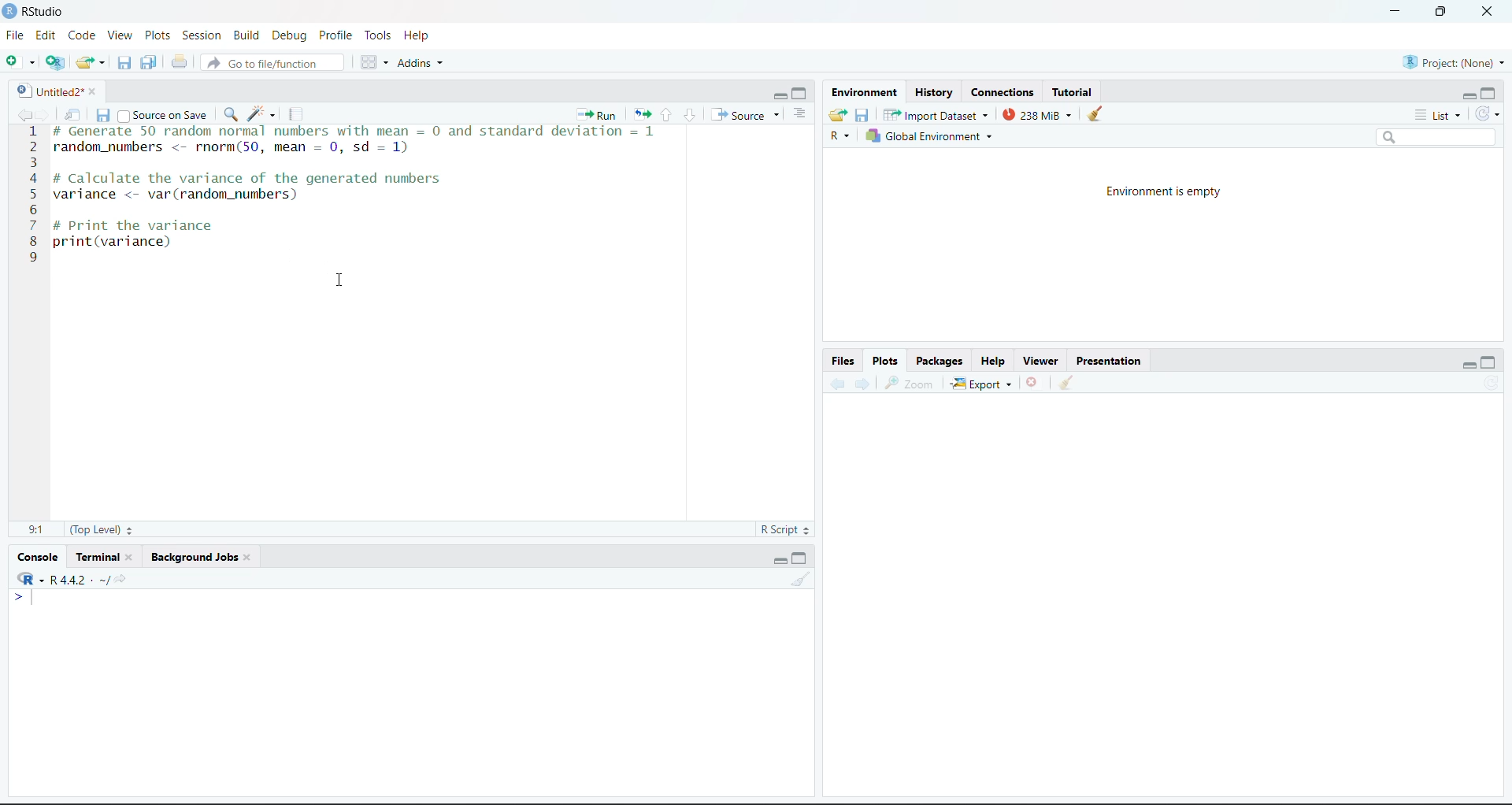  I want to click on refresh, so click(1487, 114).